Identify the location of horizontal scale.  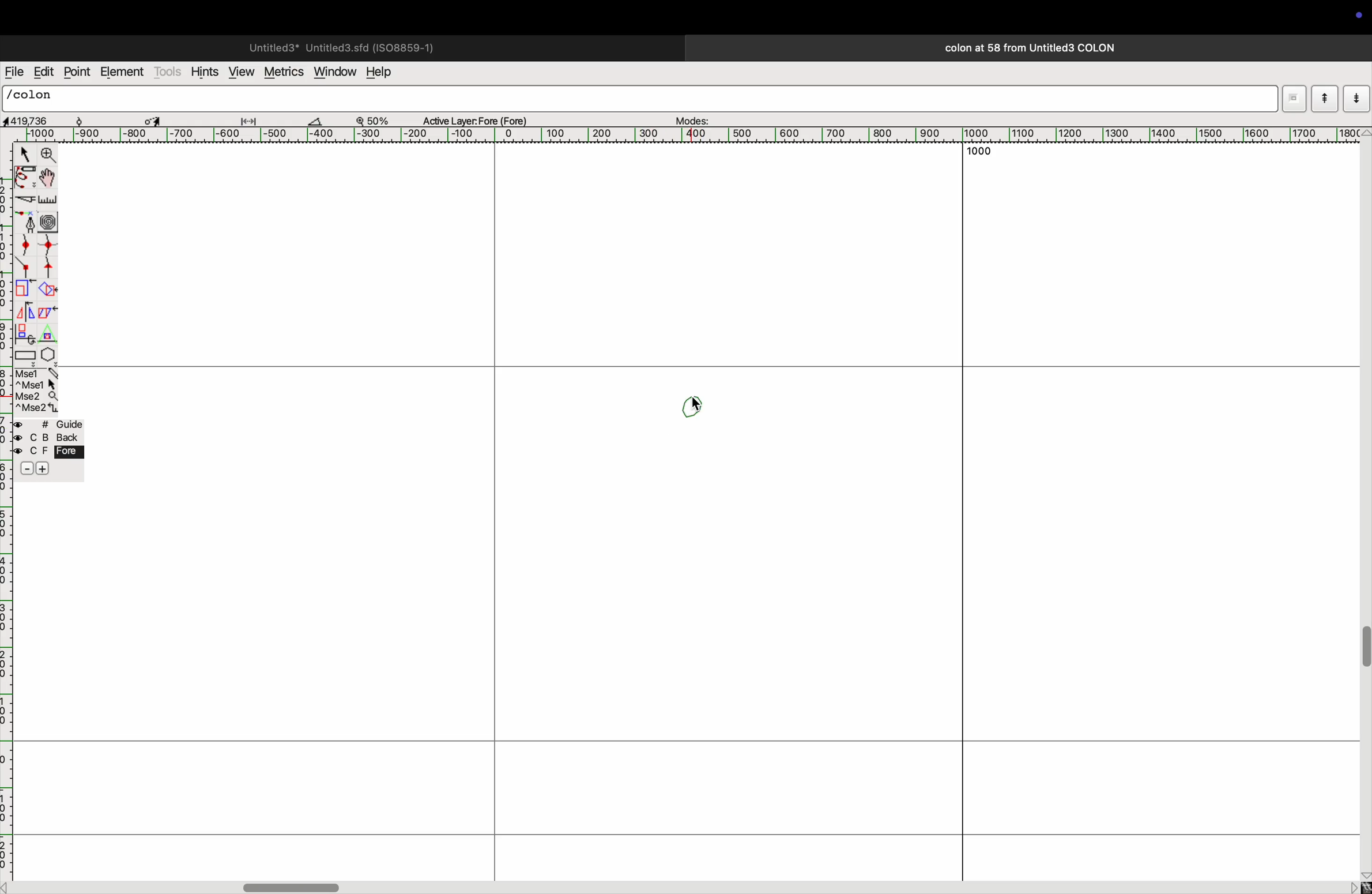
(701, 135).